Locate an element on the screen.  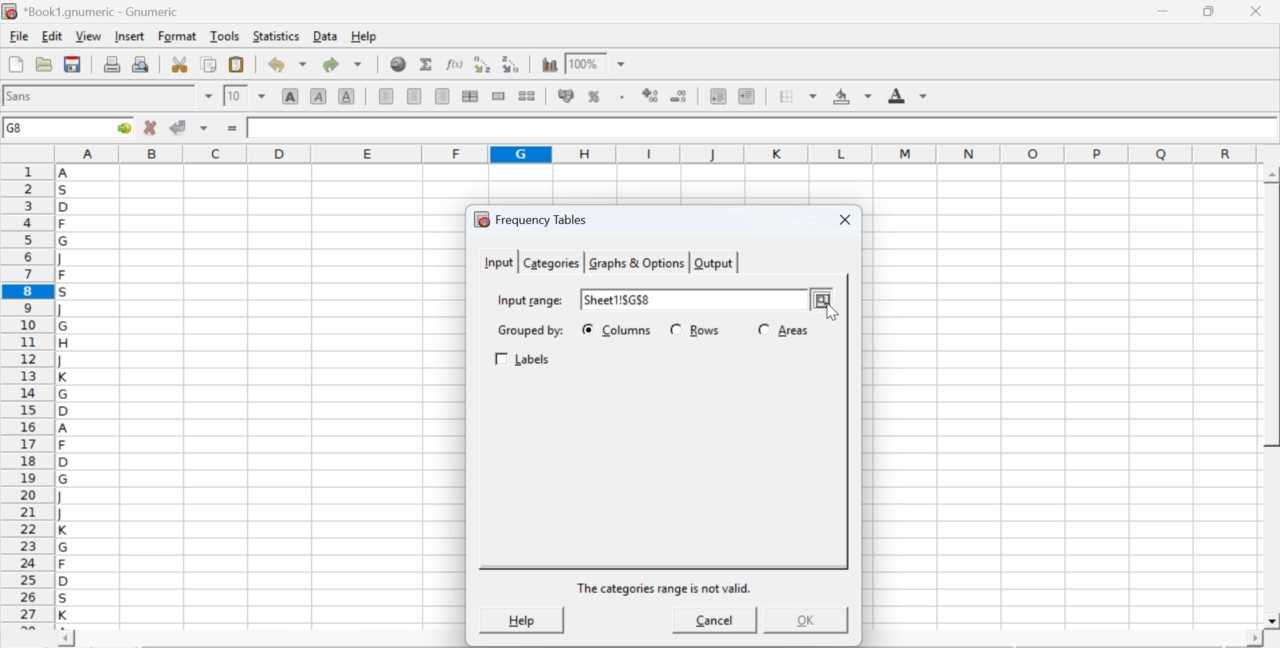
align right is located at coordinates (442, 97).